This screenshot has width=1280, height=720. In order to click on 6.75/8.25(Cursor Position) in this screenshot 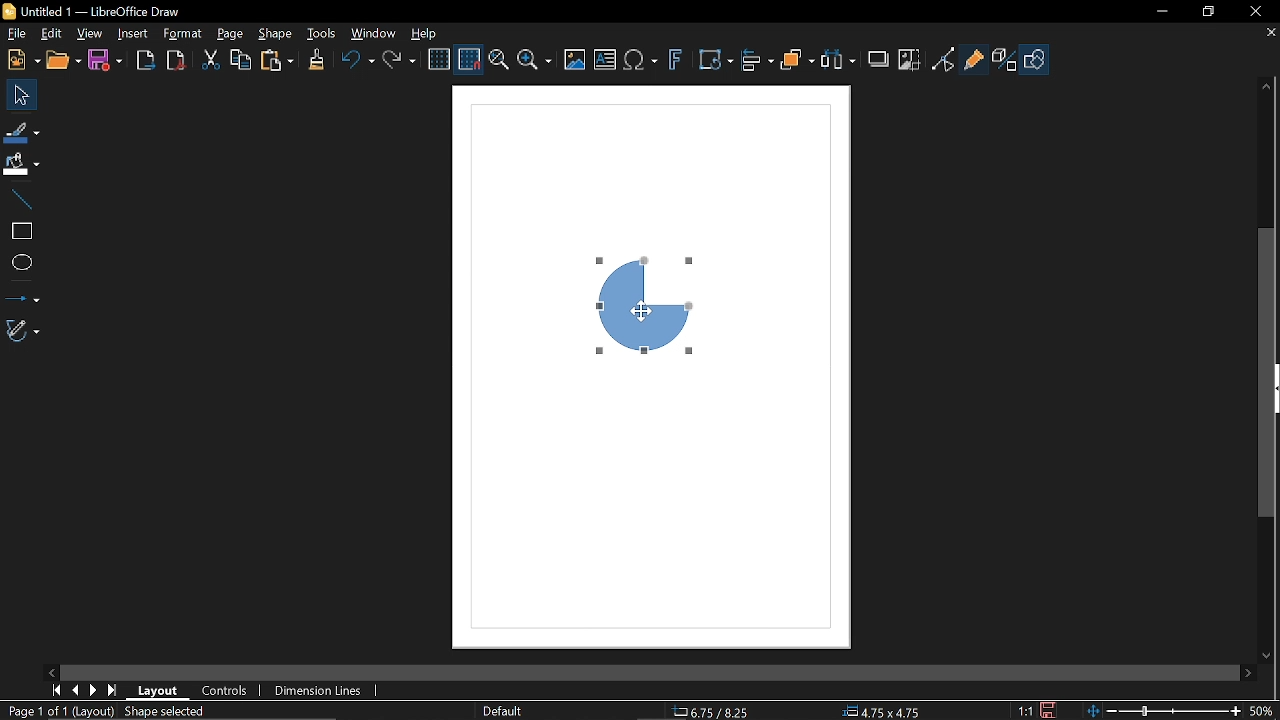, I will do `click(711, 710)`.